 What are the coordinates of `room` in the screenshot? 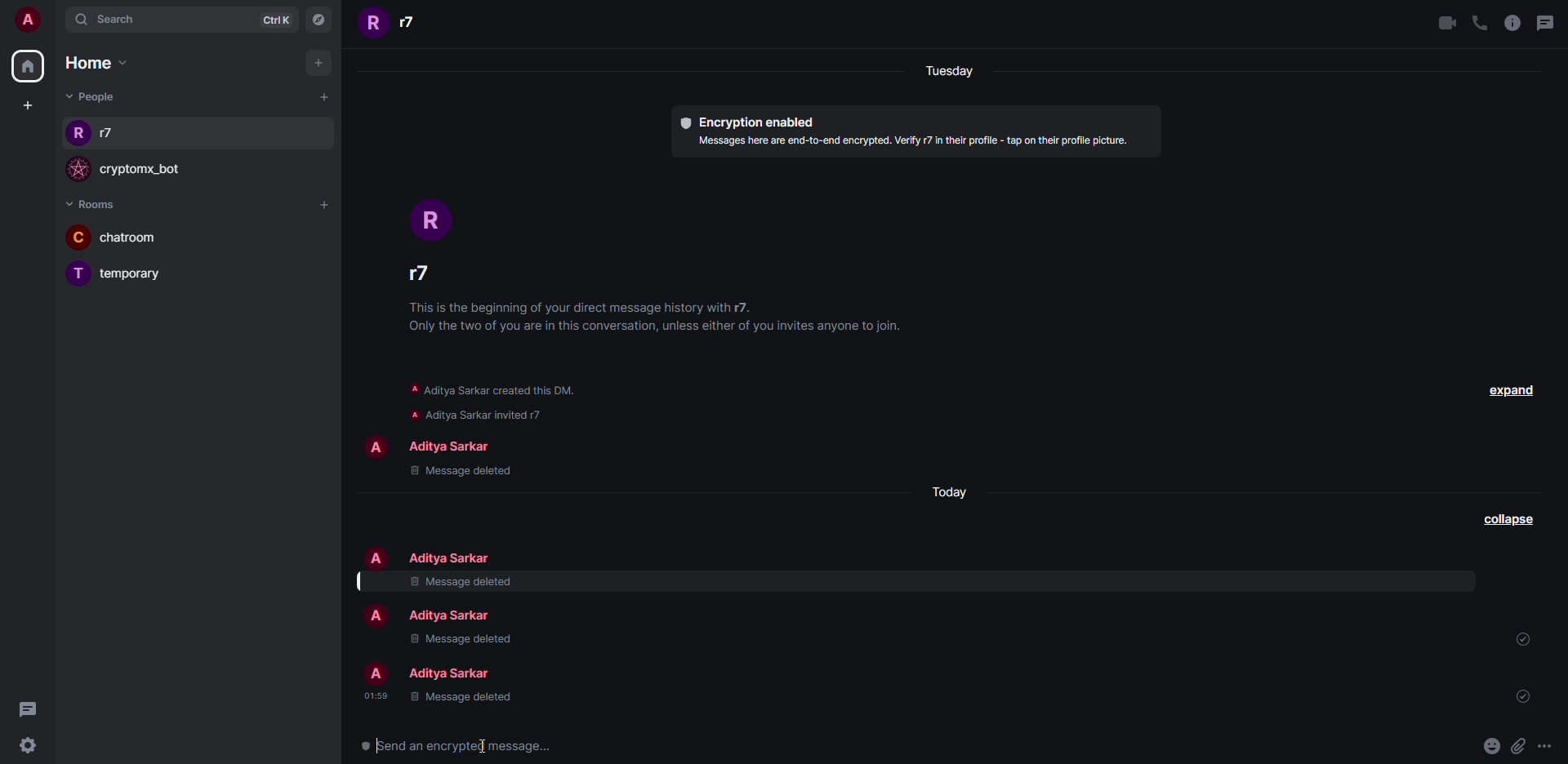 It's located at (140, 238).